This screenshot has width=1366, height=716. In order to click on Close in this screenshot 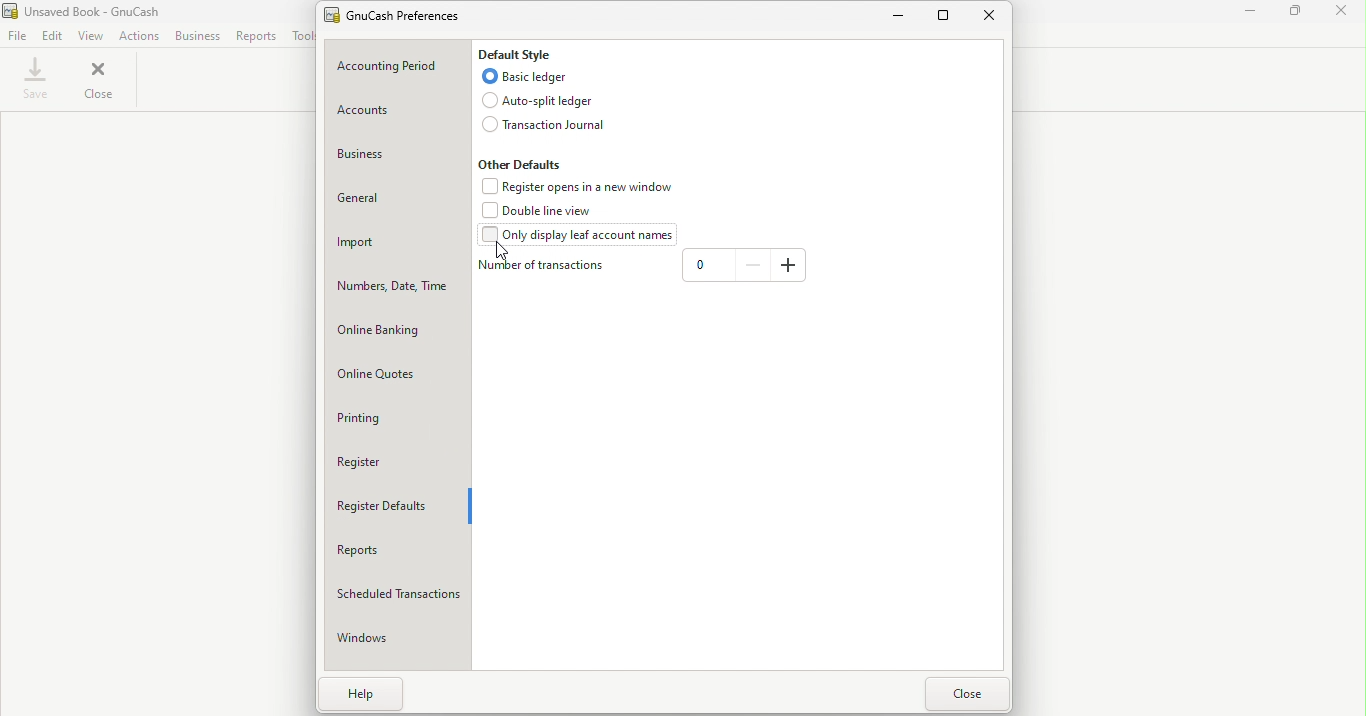, I will do `click(102, 82)`.